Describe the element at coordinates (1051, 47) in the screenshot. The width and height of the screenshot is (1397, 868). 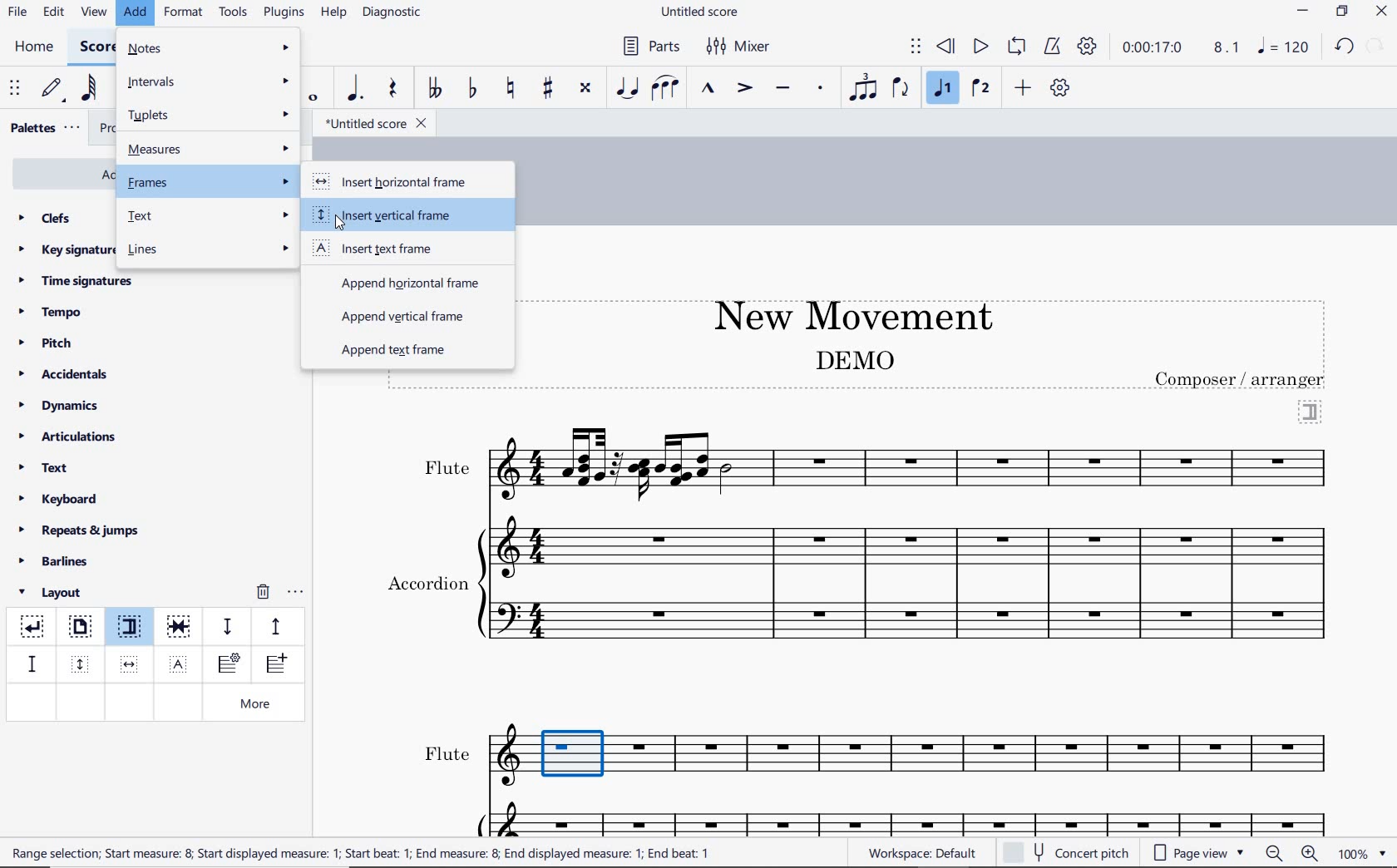
I see `metronome` at that location.